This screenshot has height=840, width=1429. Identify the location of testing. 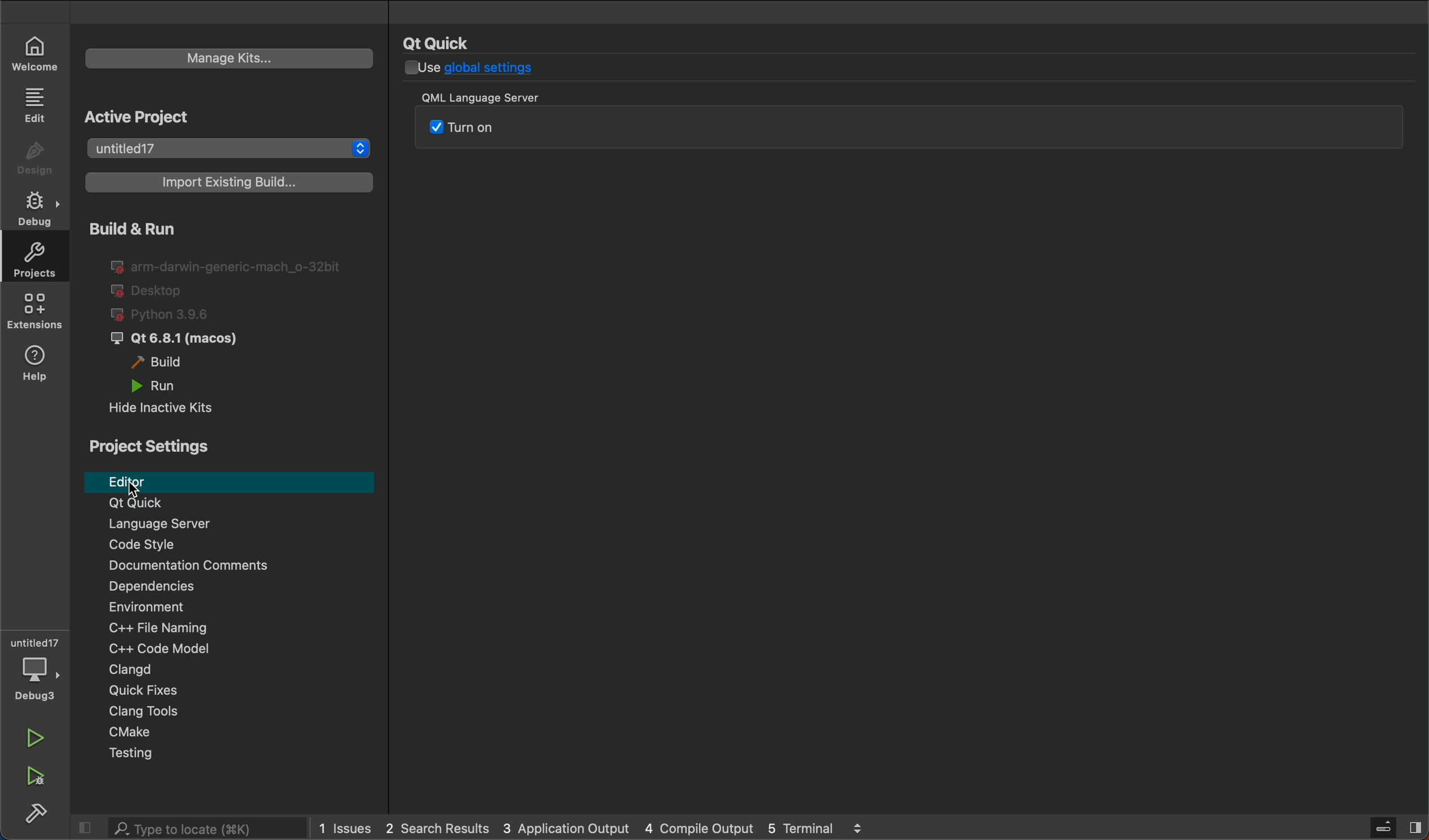
(231, 757).